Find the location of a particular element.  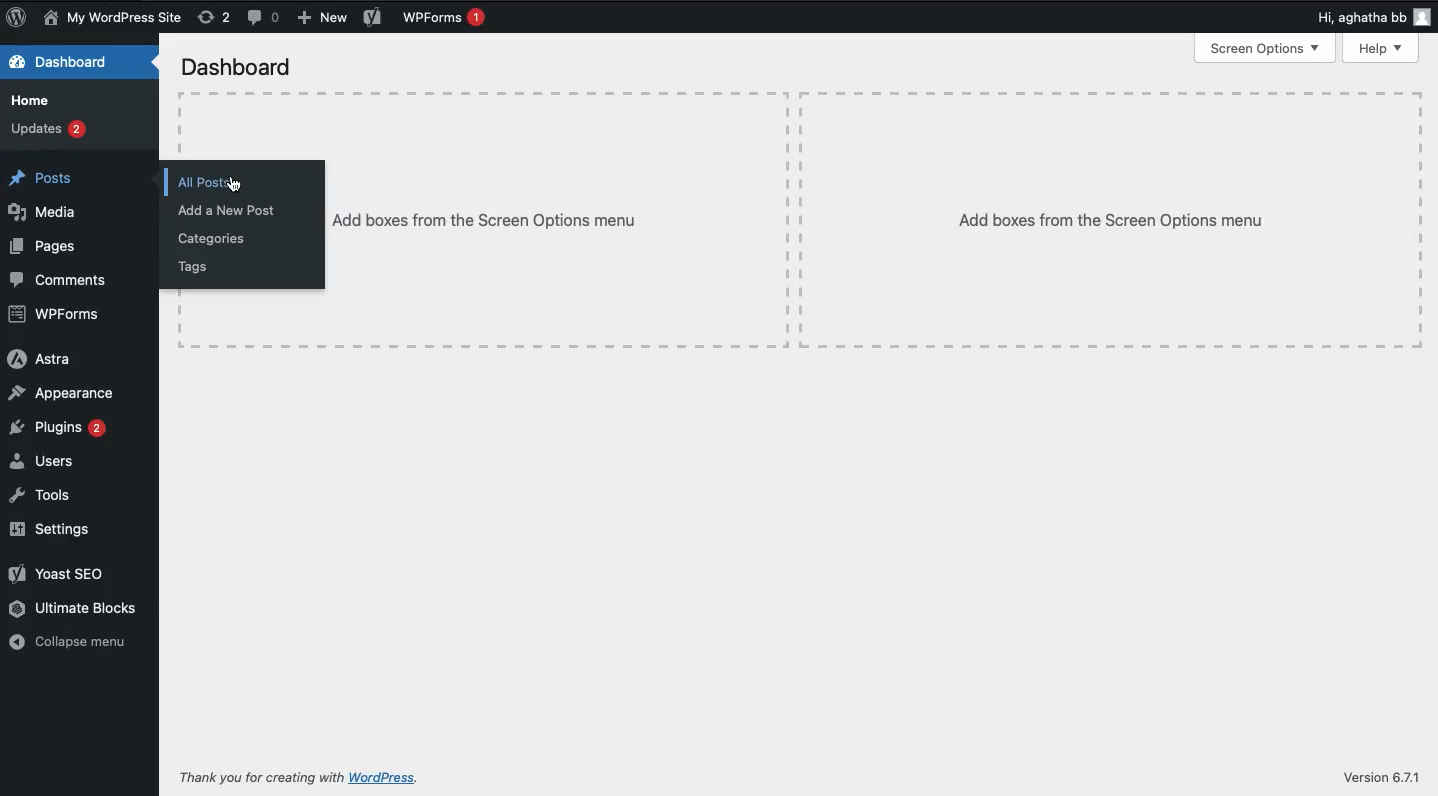

Settings is located at coordinates (50, 529).